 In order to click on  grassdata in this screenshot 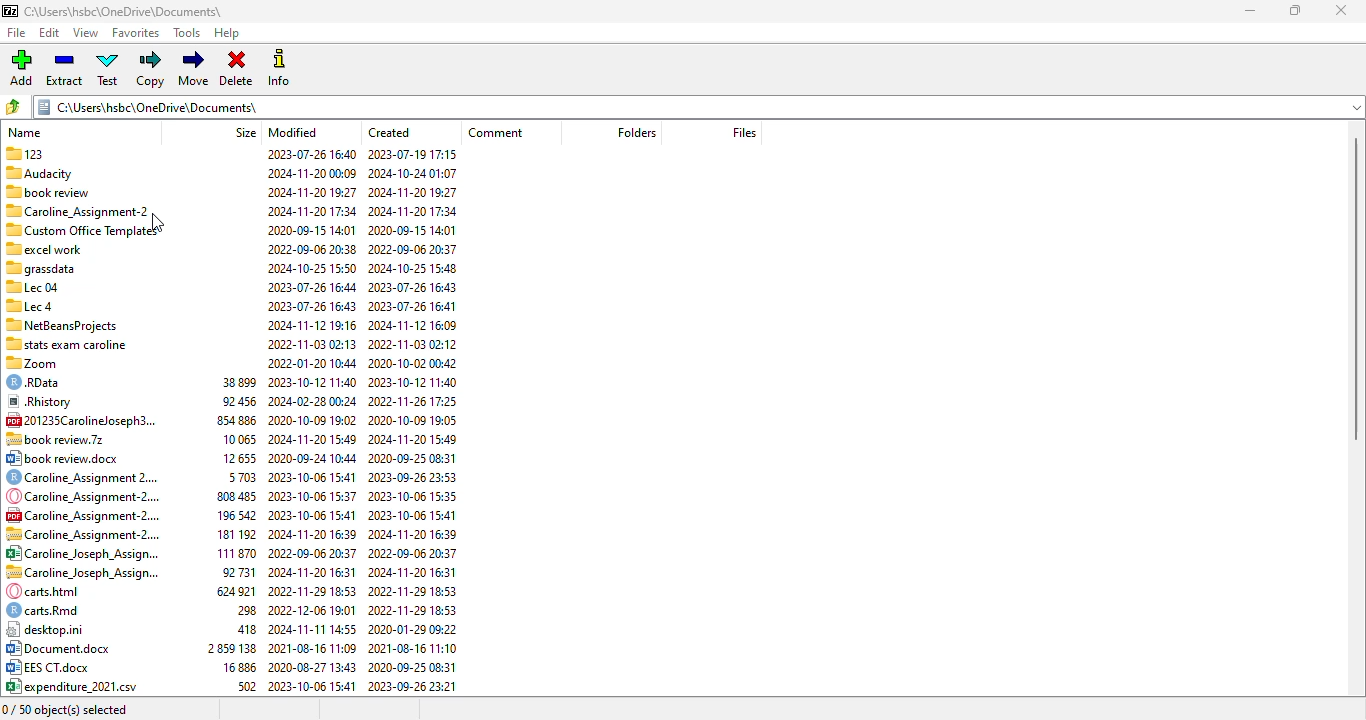, I will do `click(42, 270)`.